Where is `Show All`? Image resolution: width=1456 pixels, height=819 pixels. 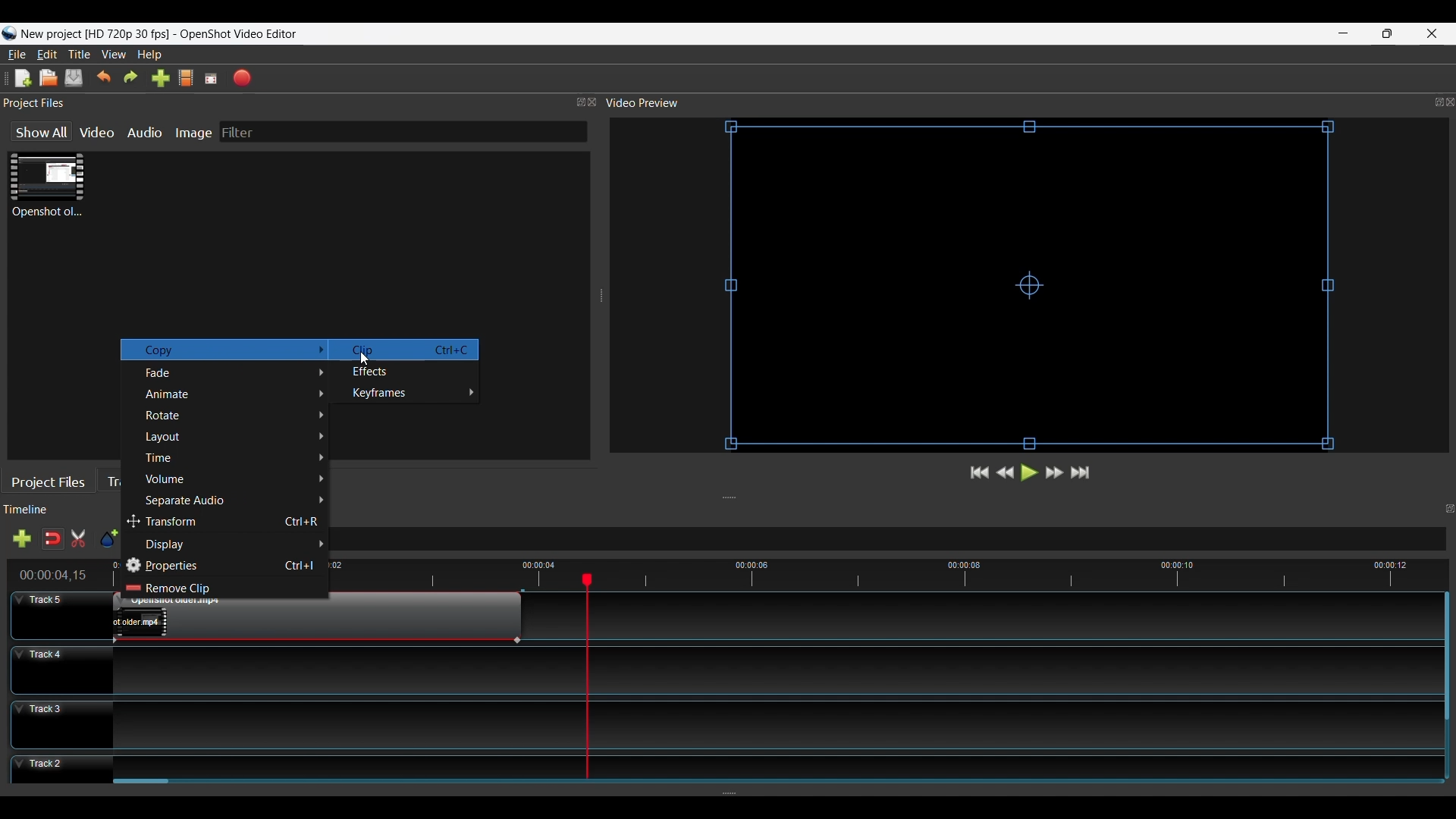 Show All is located at coordinates (36, 133).